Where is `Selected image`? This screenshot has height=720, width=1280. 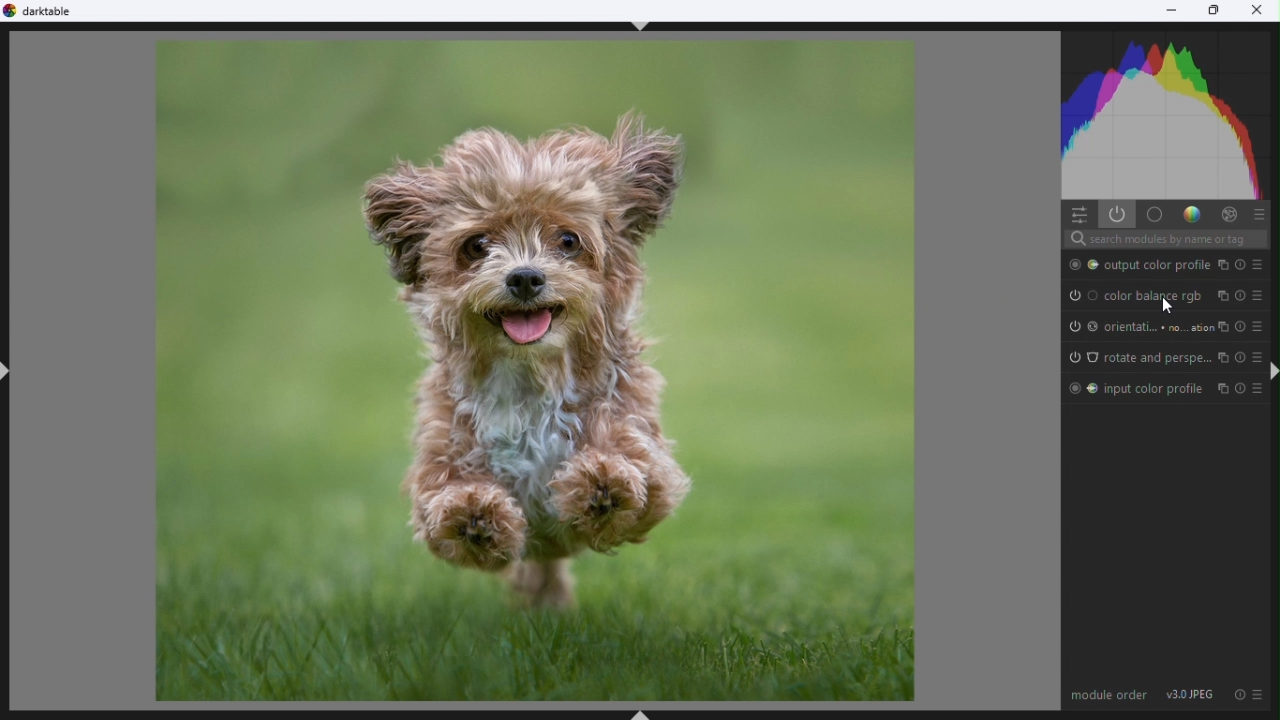
Selected image is located at coordinates (643, 369).